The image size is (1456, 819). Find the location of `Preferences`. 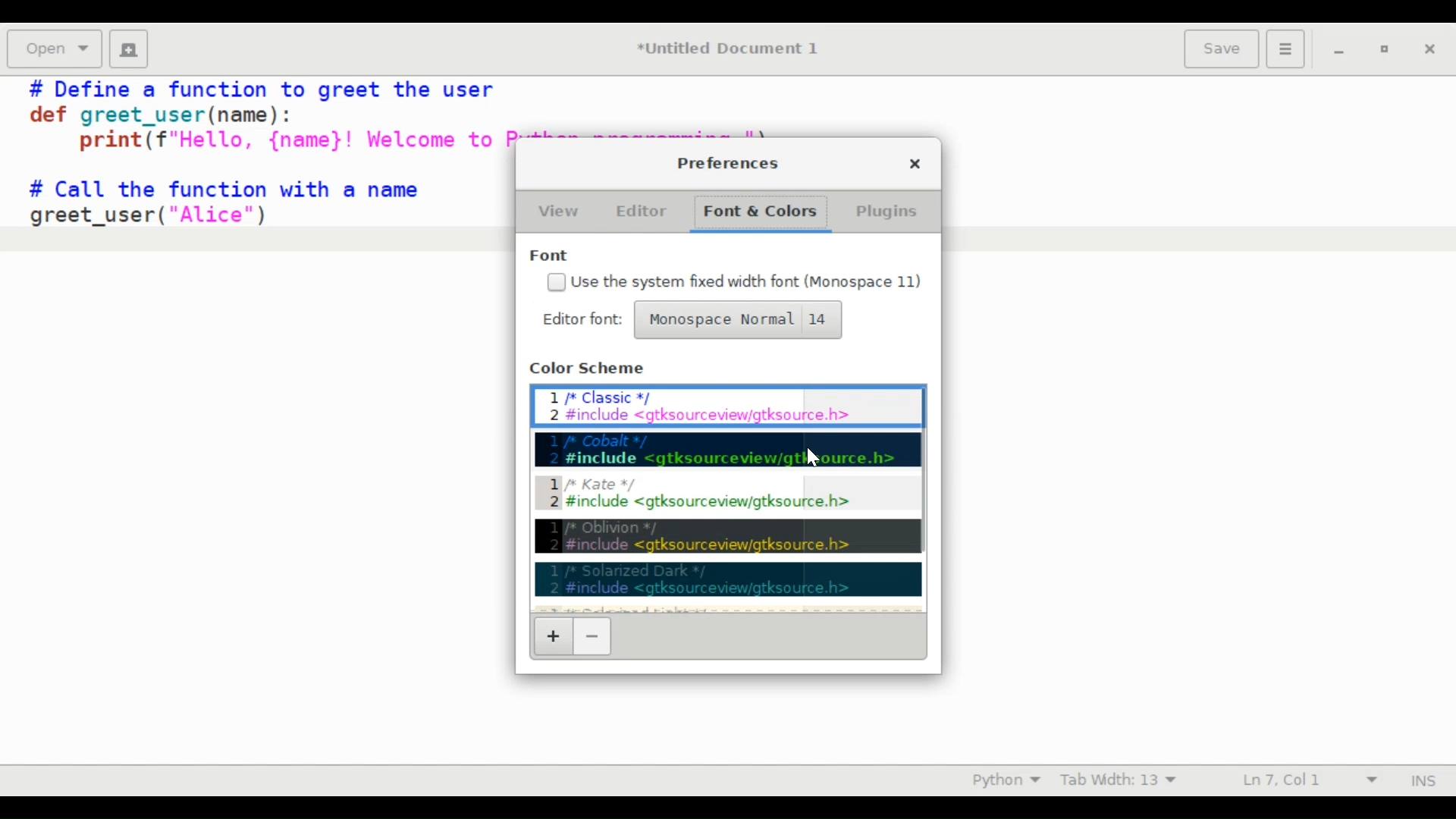

Preferences is located at coordinates (730, 164).